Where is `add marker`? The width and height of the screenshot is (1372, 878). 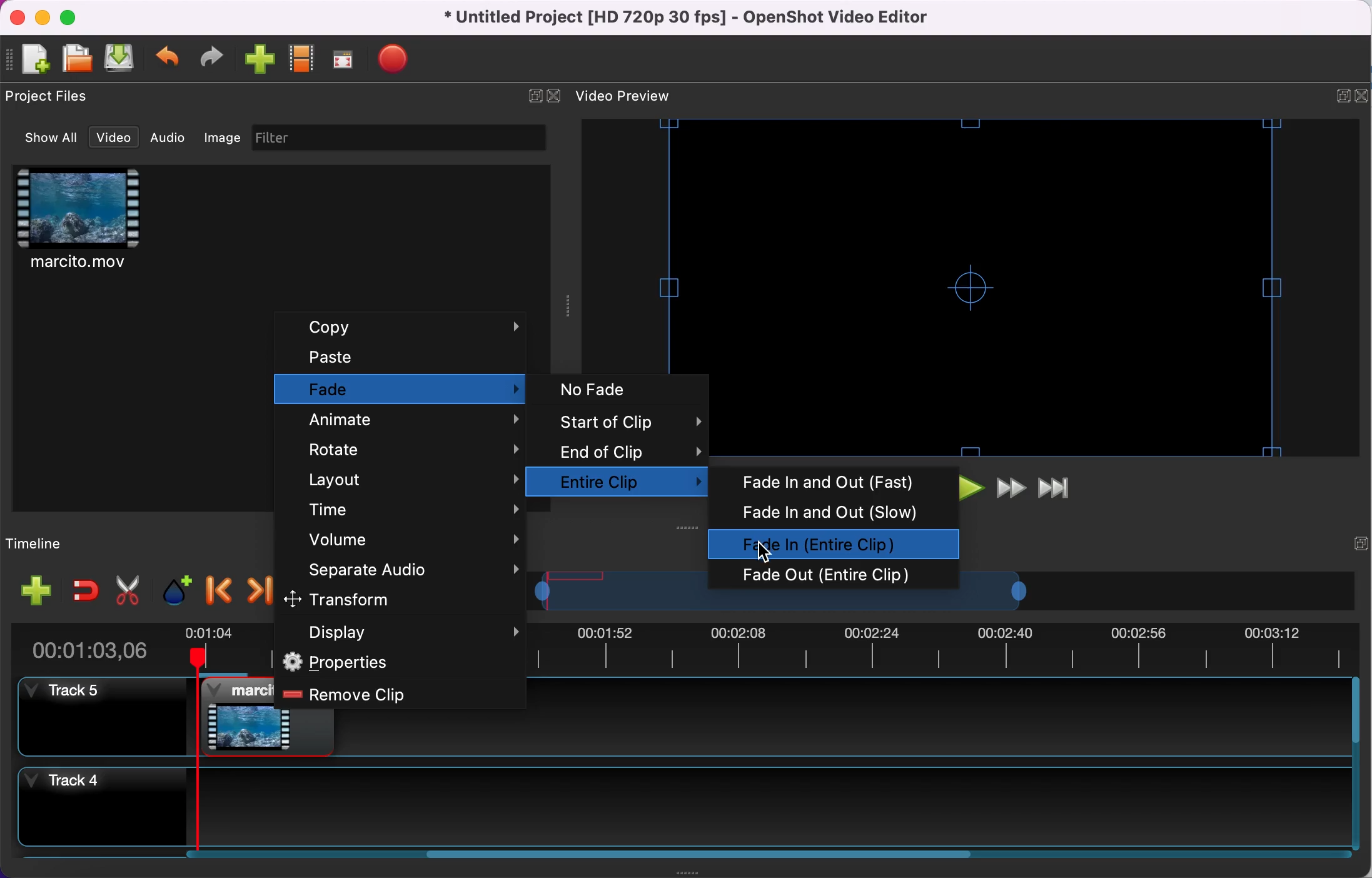 add marker is located at coordinates (173, 590).